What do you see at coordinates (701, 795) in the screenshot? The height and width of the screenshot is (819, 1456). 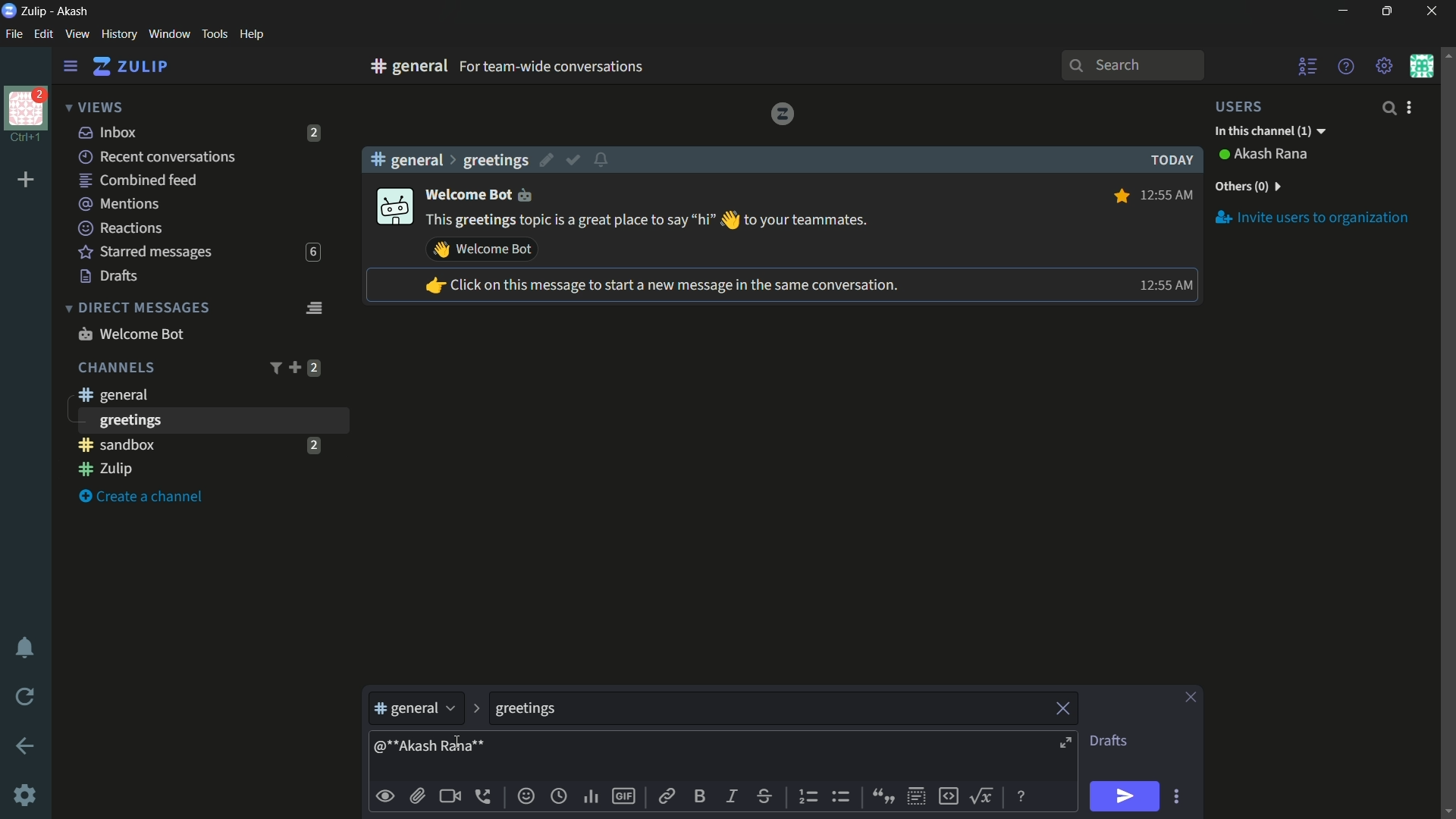 I see `bold` at bounding box center [701, 795].